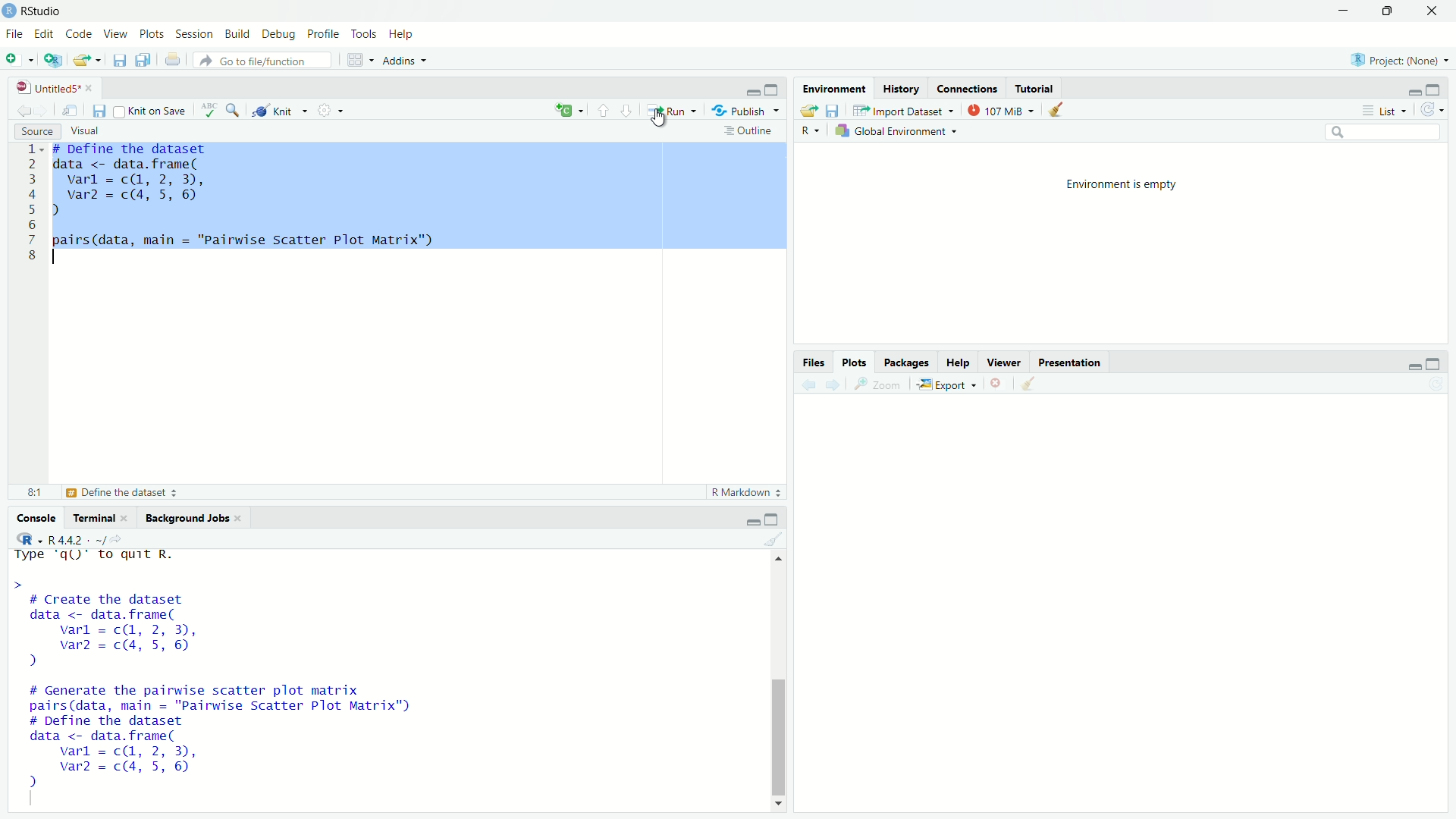 The height and width of the screenshot is (819, 1456). What do you see at coordinates (37, 130) in the screenshot?
I see `Source` at bounding box center [37, 130].